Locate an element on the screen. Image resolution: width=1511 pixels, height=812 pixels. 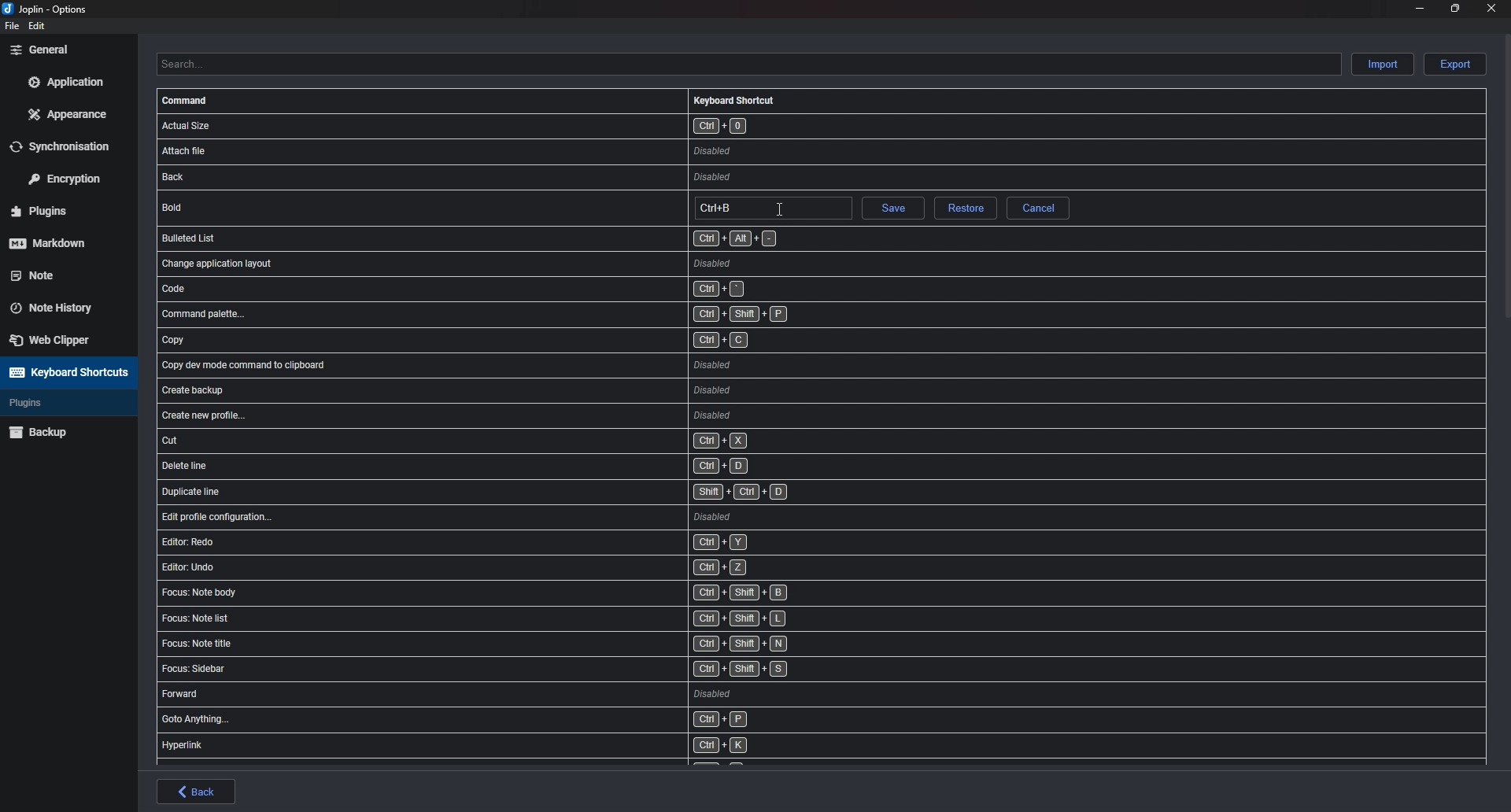
Keyboard shortcuts is located at coordinates (66, 372).